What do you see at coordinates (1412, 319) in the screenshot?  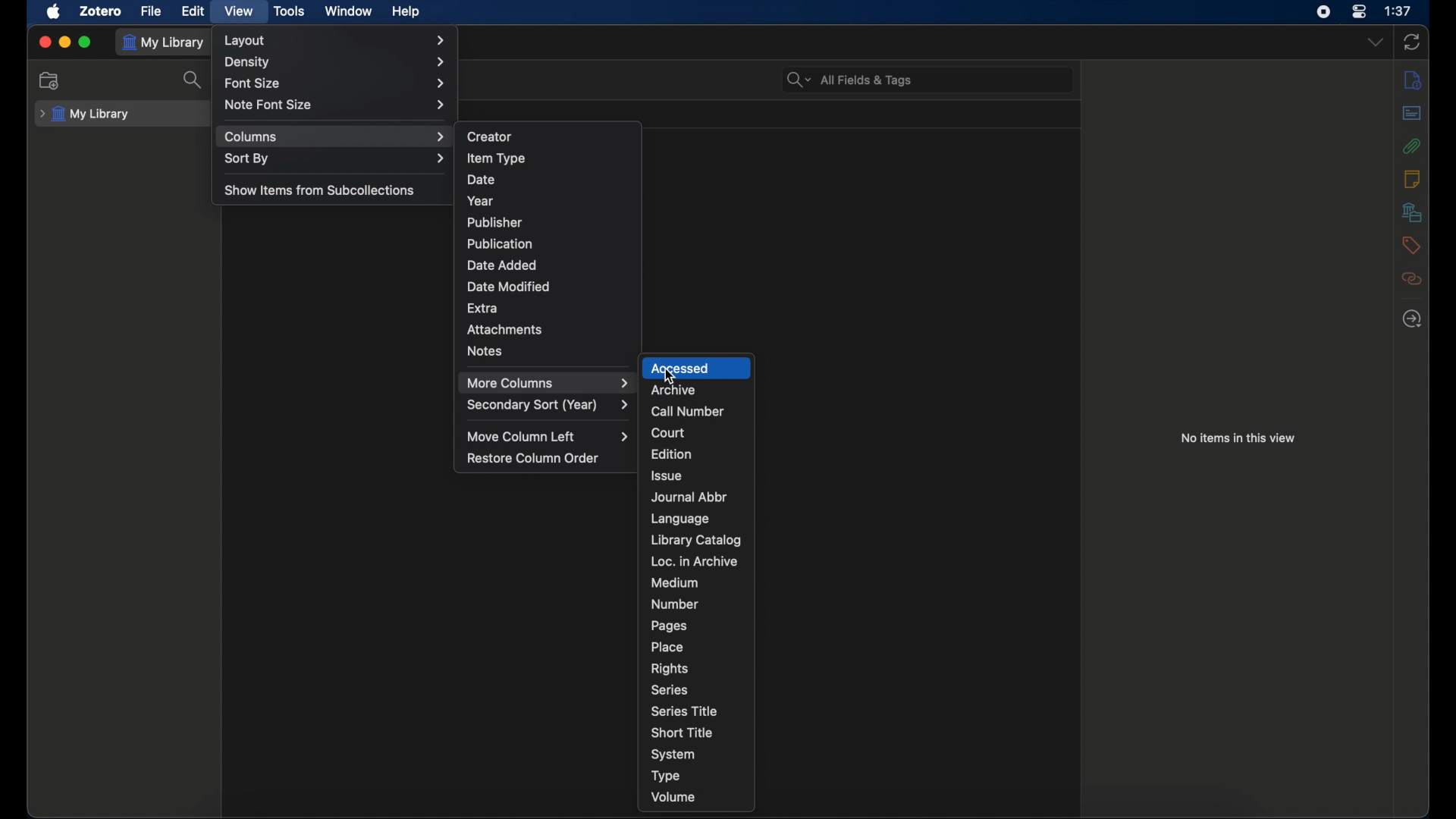 I see `locate` at bounding box center [1412, 319].